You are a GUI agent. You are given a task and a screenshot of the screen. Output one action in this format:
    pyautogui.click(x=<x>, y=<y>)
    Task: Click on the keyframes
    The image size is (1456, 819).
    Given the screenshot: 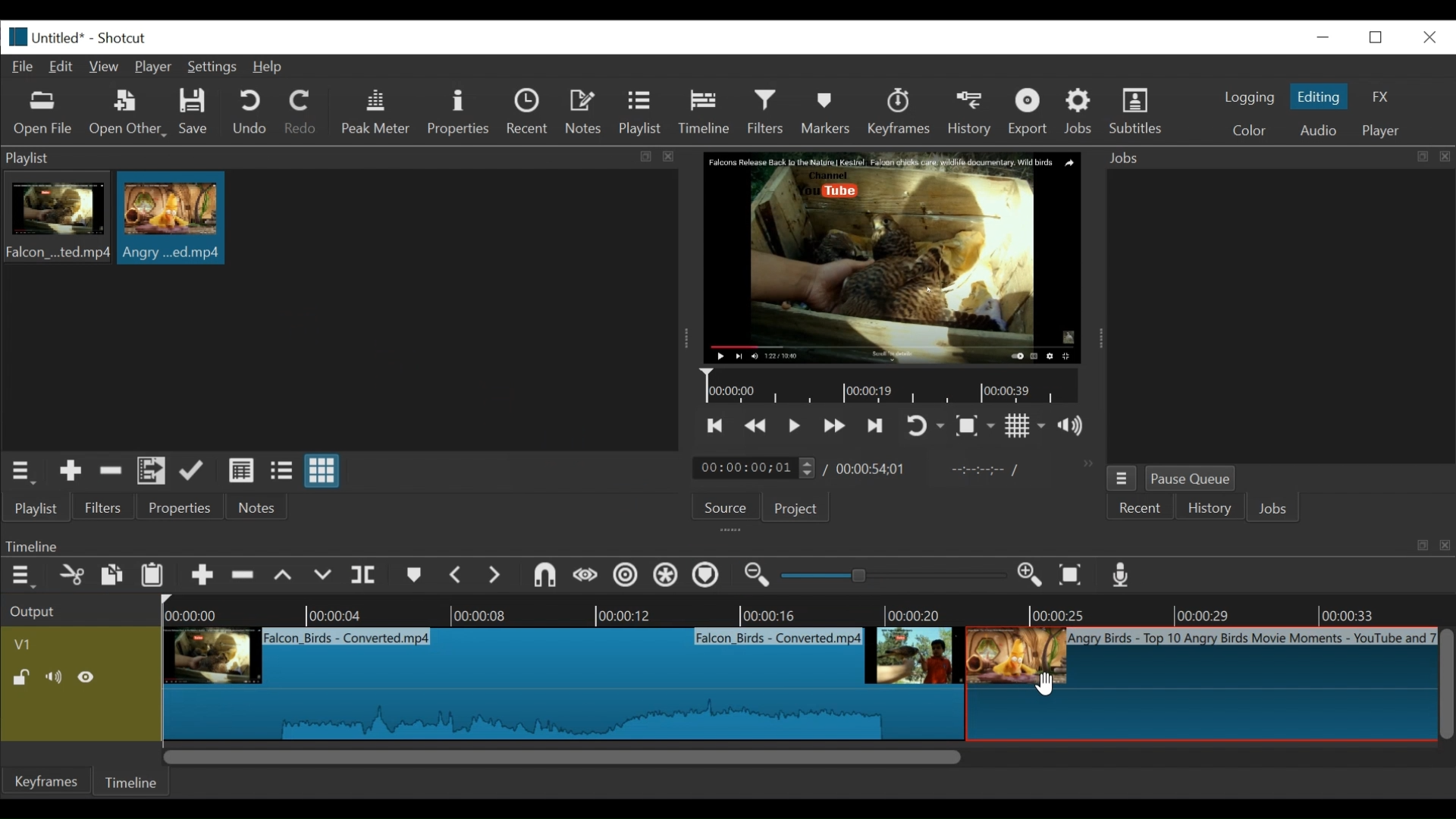 What is the action you would take?
    pyautogui.click(x=900, y=114)
    